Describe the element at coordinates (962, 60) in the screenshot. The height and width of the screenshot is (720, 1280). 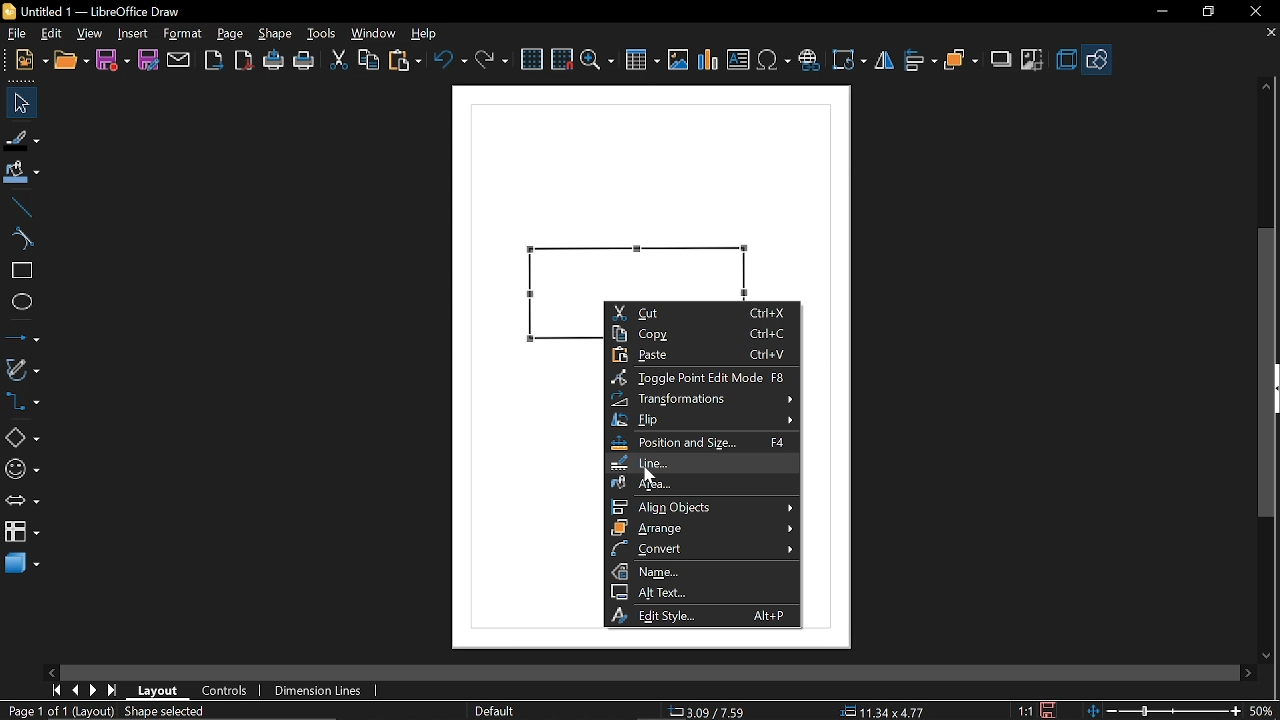
I see `arrange` at that location.